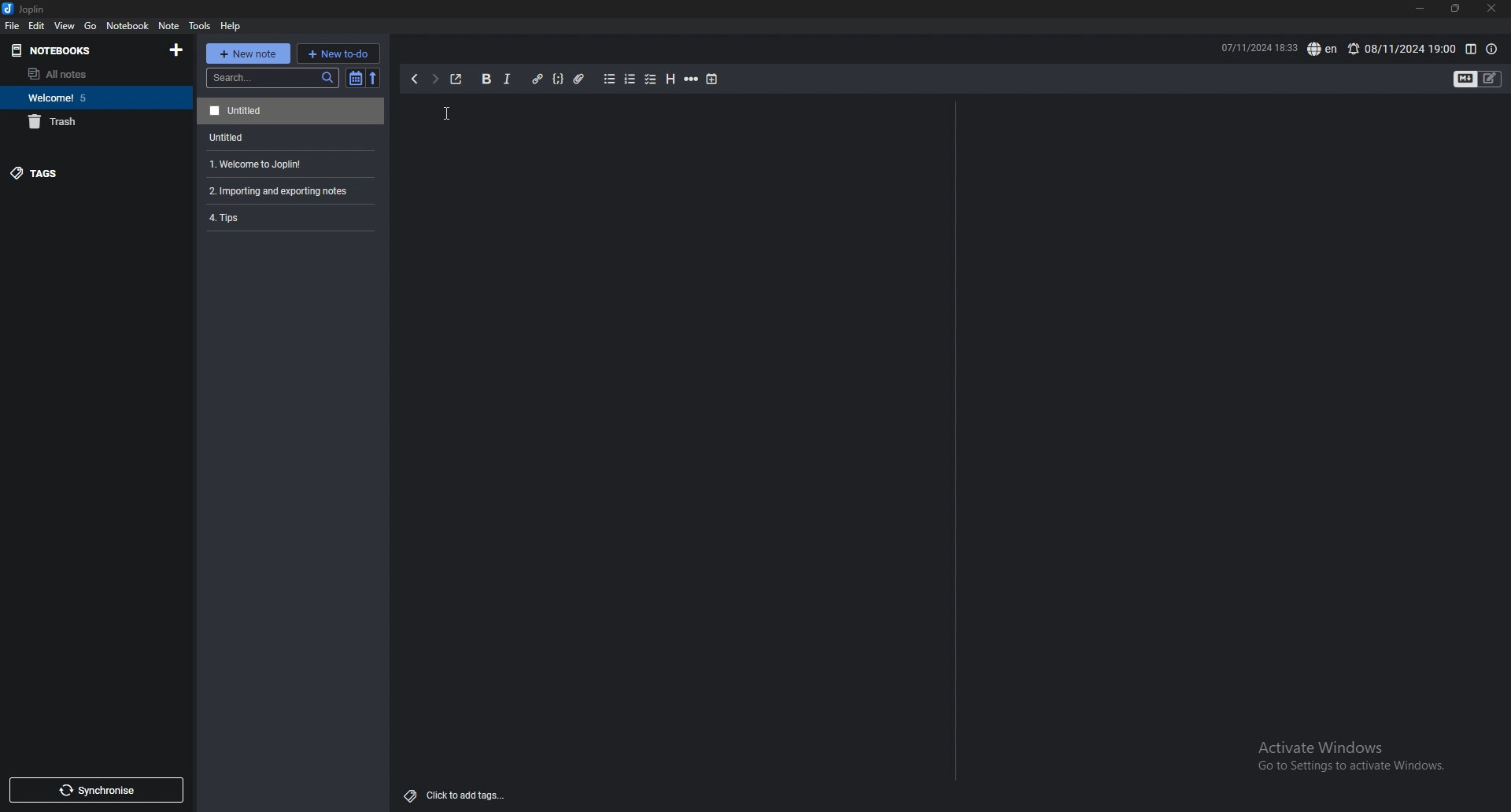  I want to click on edit, so click(37, 25).